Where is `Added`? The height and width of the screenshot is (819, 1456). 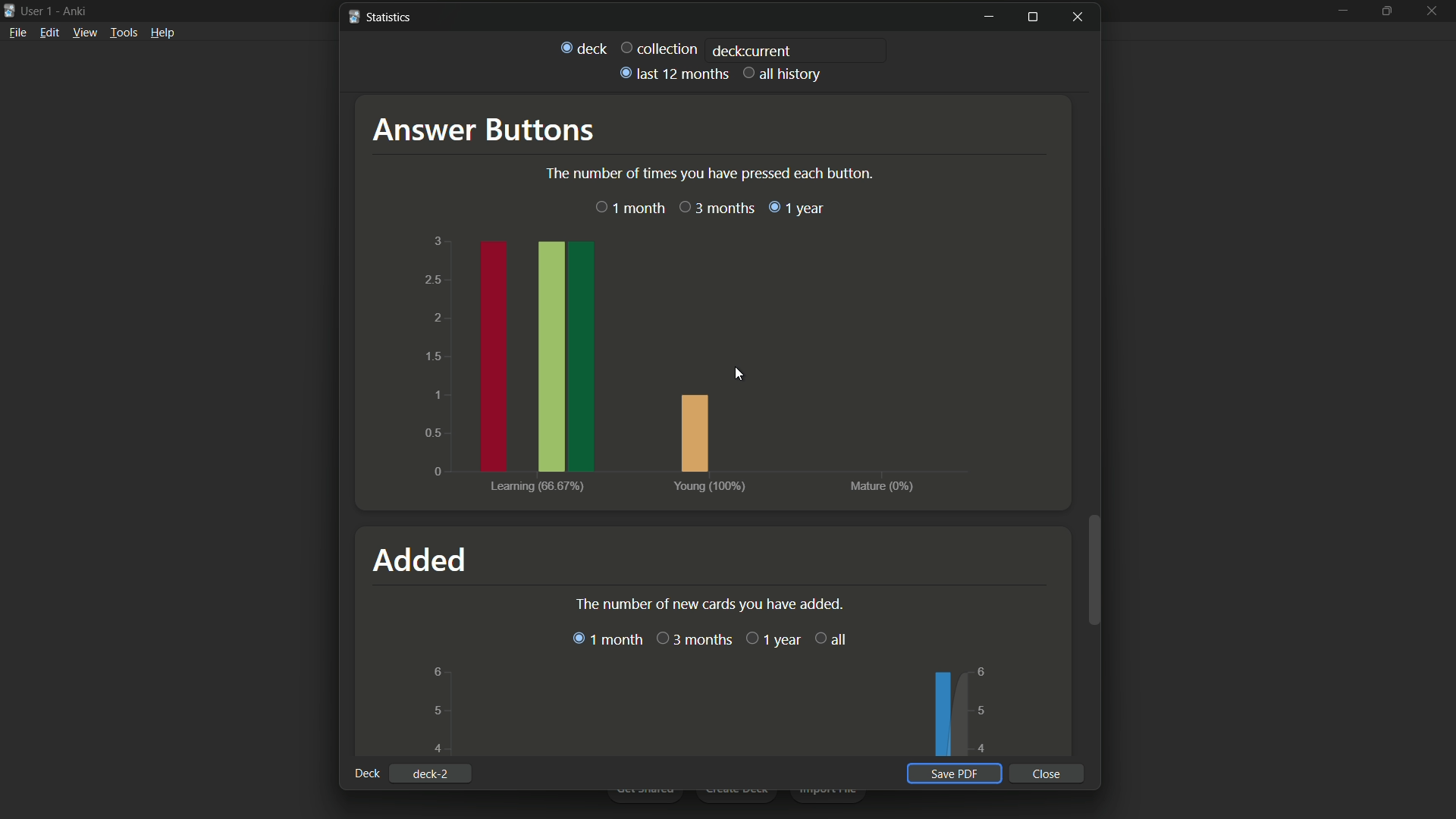
Added is located at coordinates (422, 560).